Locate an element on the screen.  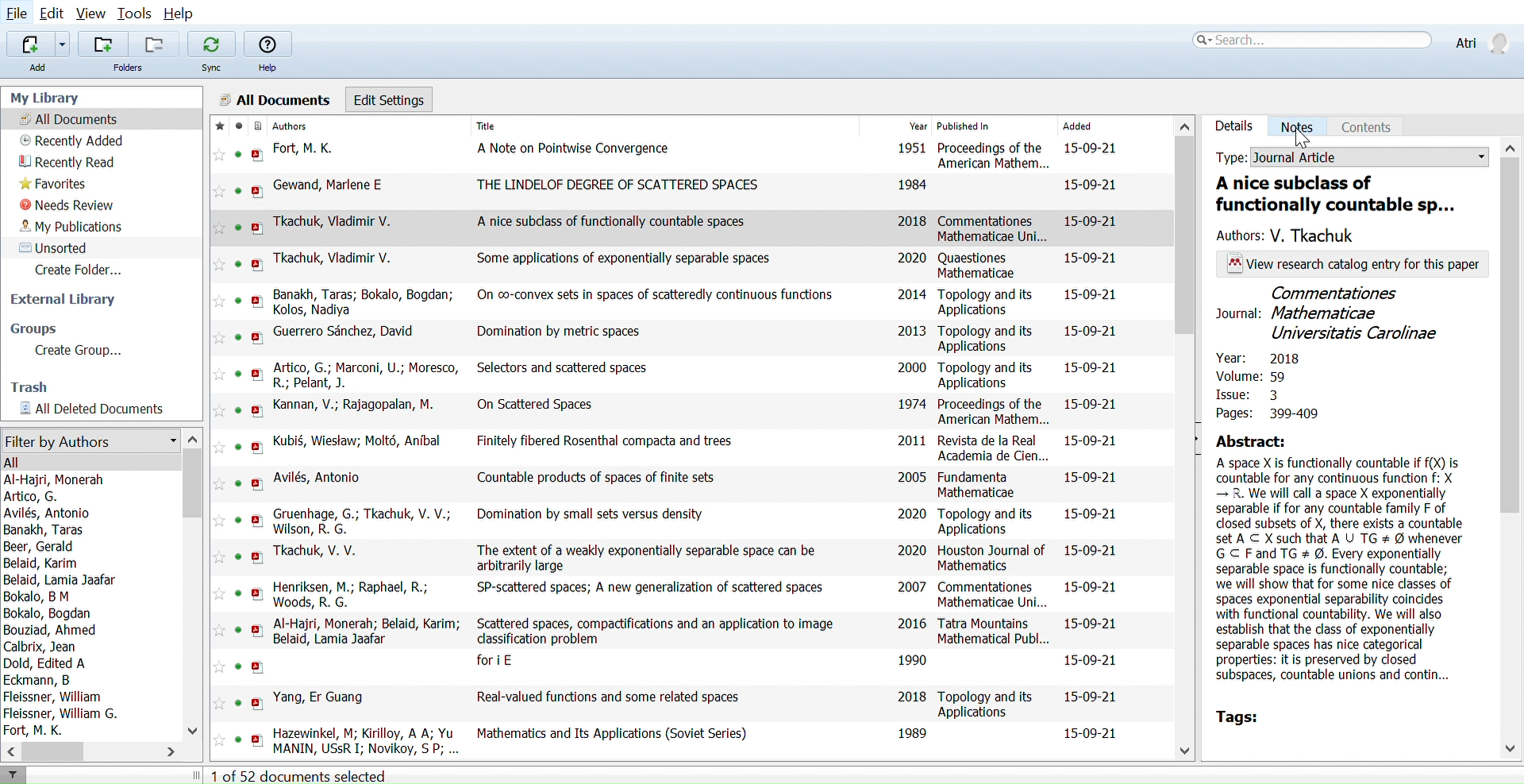
Fleissner, William G. is located at coordinates (63, 713).